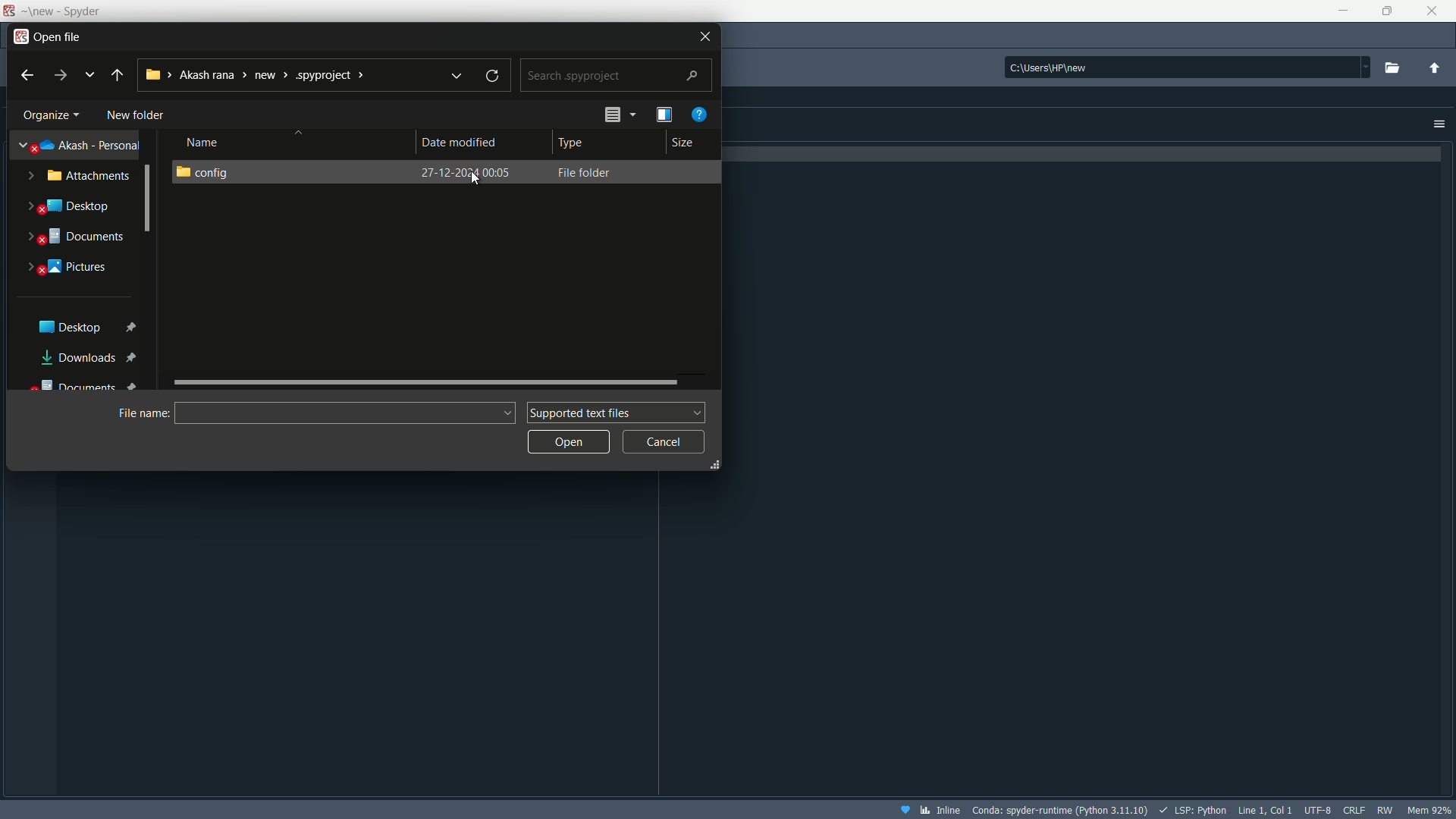 This screenshot has height=819, width=1456. What do you see at coordinates (705, 35) in the screenshot?
I see `close` at bounding box center [705, 35].